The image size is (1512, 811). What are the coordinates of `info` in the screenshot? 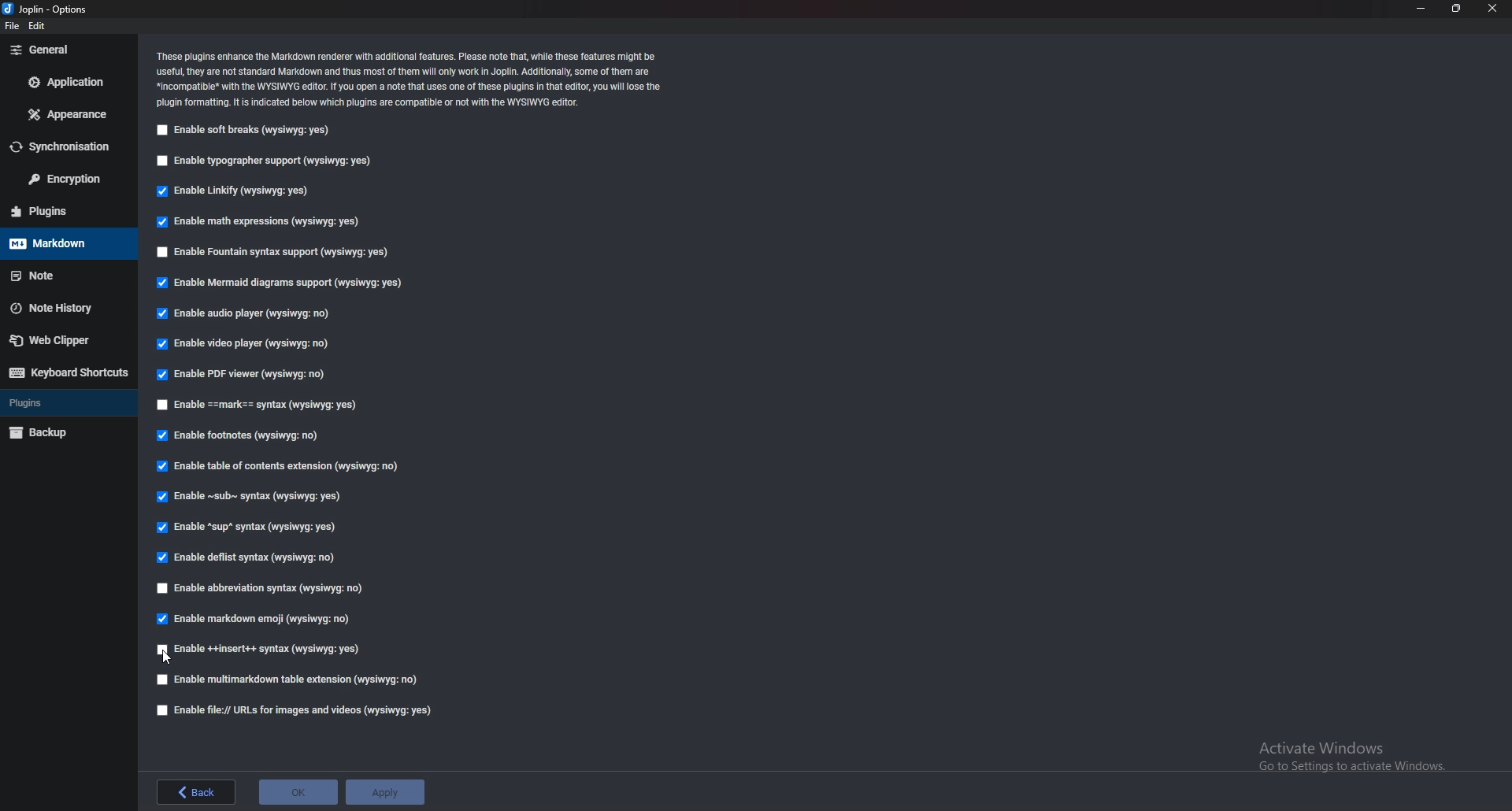 It's located at (413, 77).